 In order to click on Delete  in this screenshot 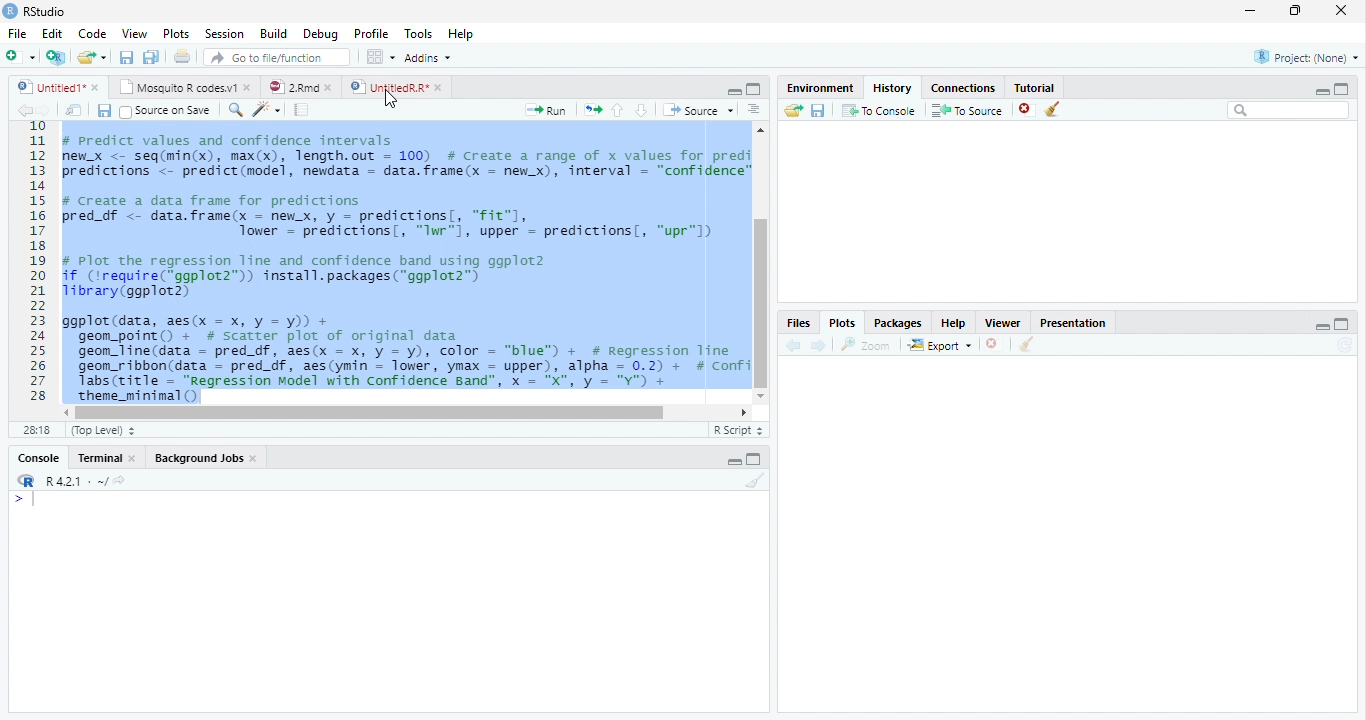, I will do `click(994, 345)`.